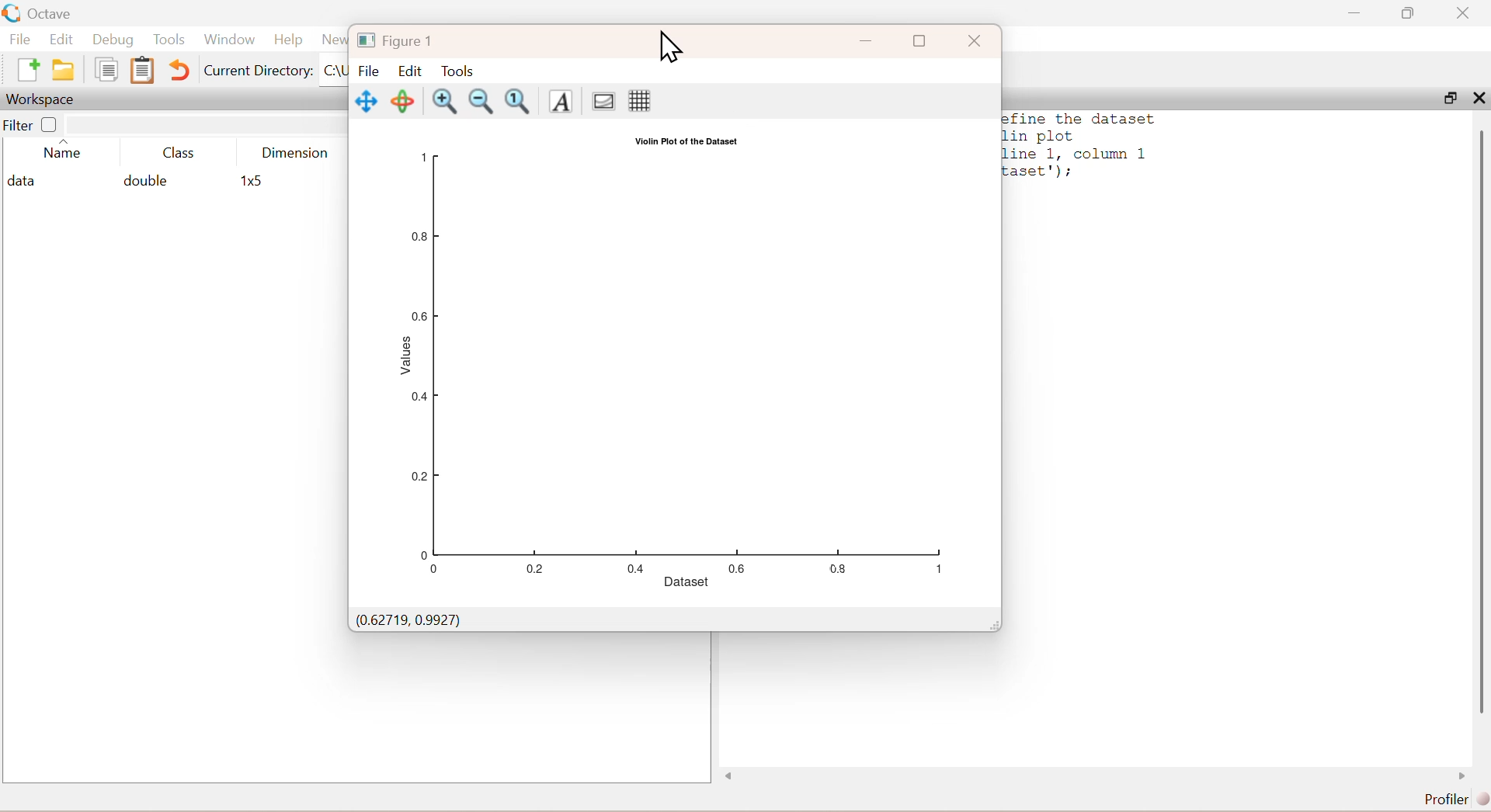 The width and height of the screenshot is (1491, 812). Describe the element at coordinates (675, 361) in the screenshot. I see `graph` at that location.